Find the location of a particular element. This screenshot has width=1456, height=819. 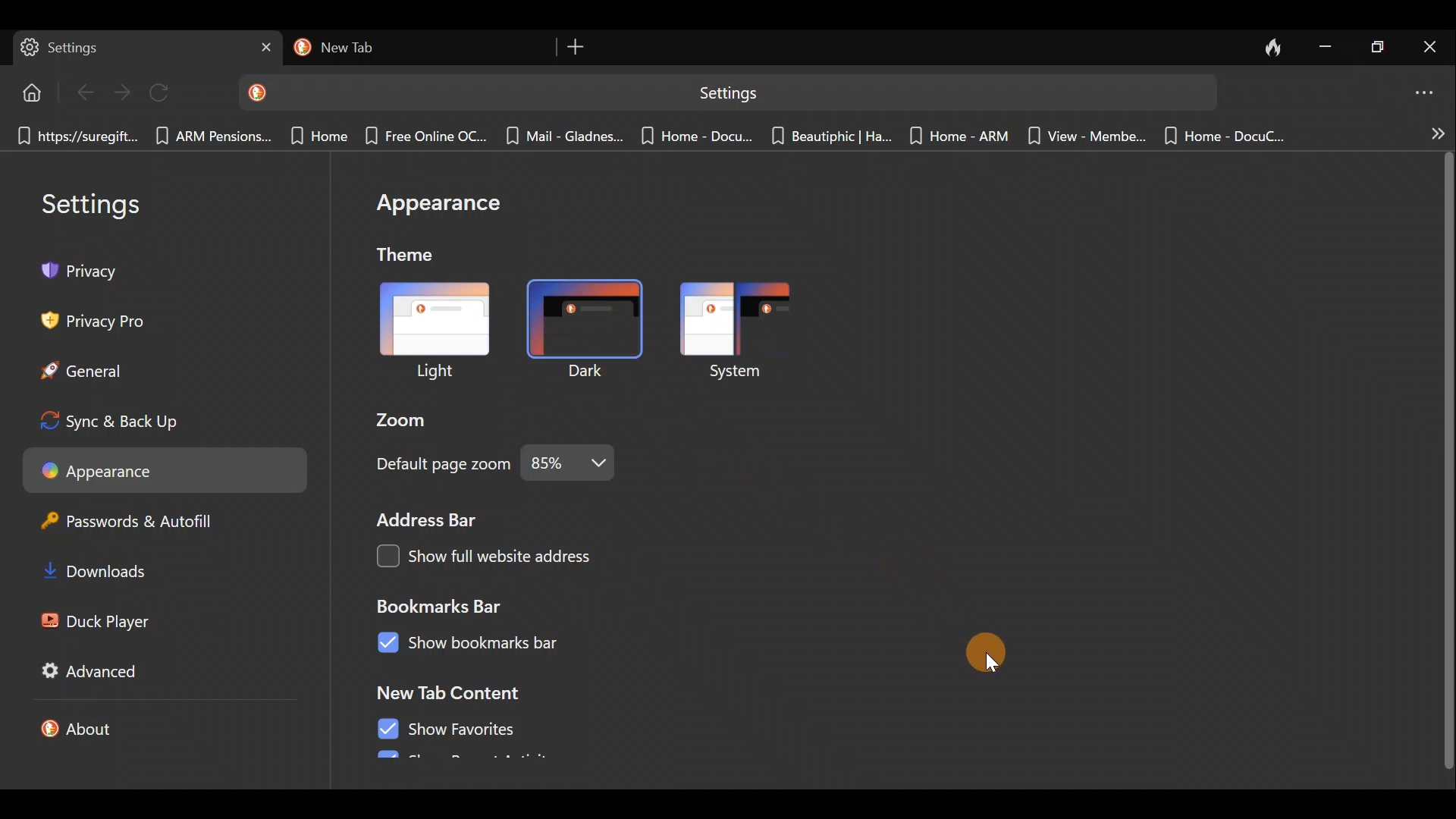

Dark is located at coordinates (593, 331).